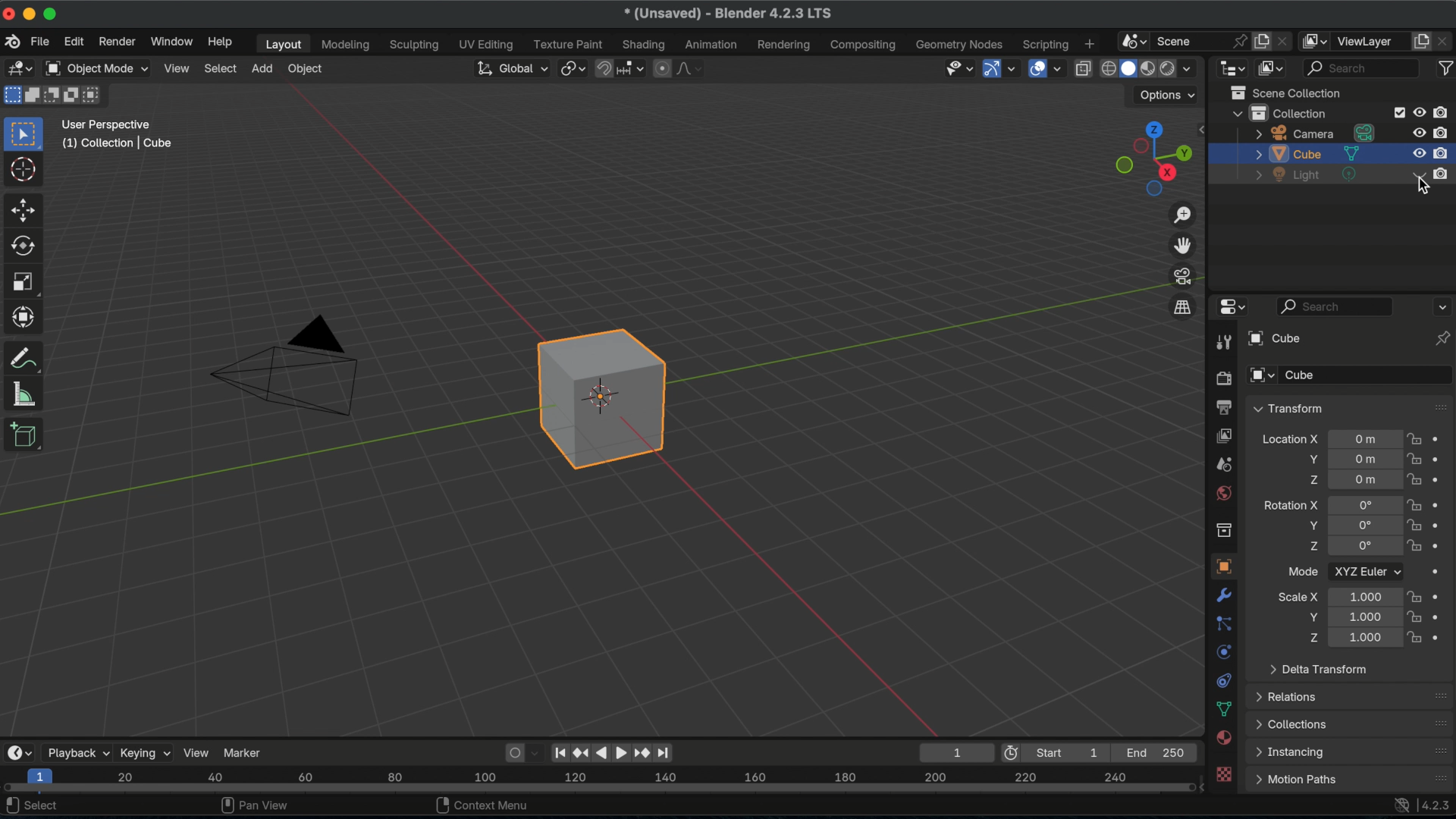 This screenshot has width=1456, height=819. Describe the element at coordinates (864, 44) in the screenshot. I see `composting` at that location.